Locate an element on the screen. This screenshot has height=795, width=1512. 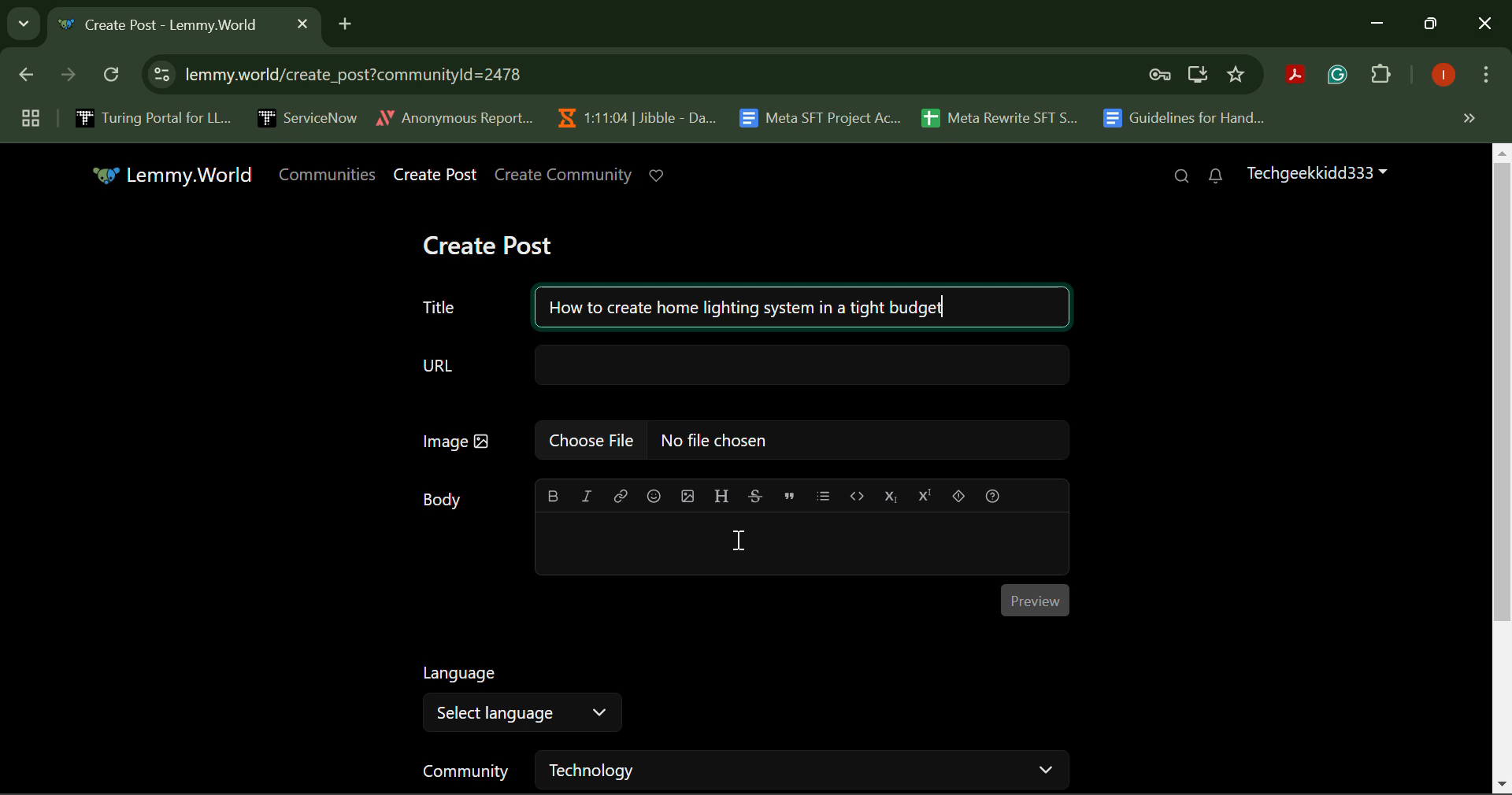
Close Tab is located at coordinates (302, 23).